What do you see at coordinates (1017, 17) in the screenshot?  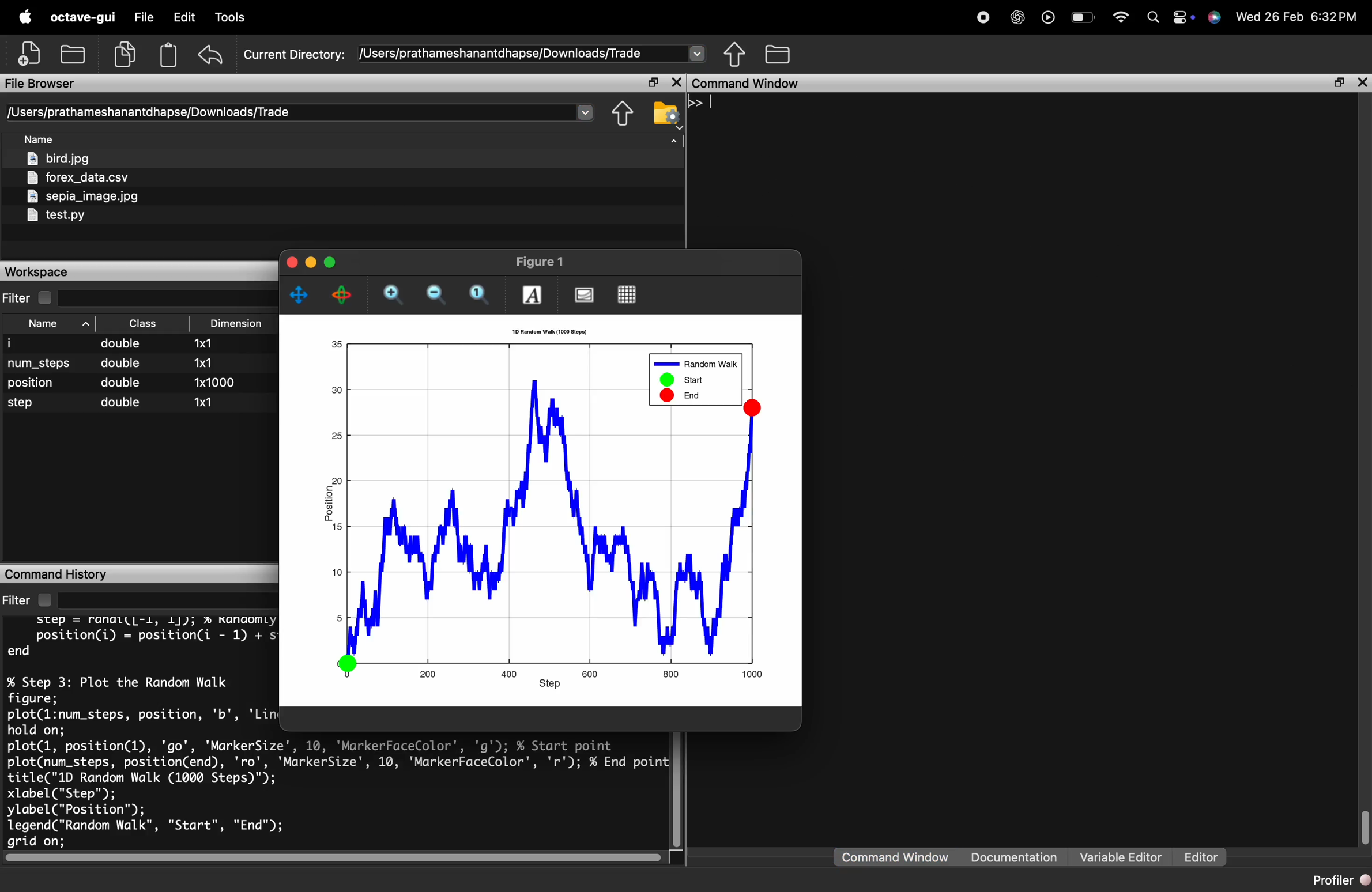 I see `chatgpt` at bounding box center [1017, 17].